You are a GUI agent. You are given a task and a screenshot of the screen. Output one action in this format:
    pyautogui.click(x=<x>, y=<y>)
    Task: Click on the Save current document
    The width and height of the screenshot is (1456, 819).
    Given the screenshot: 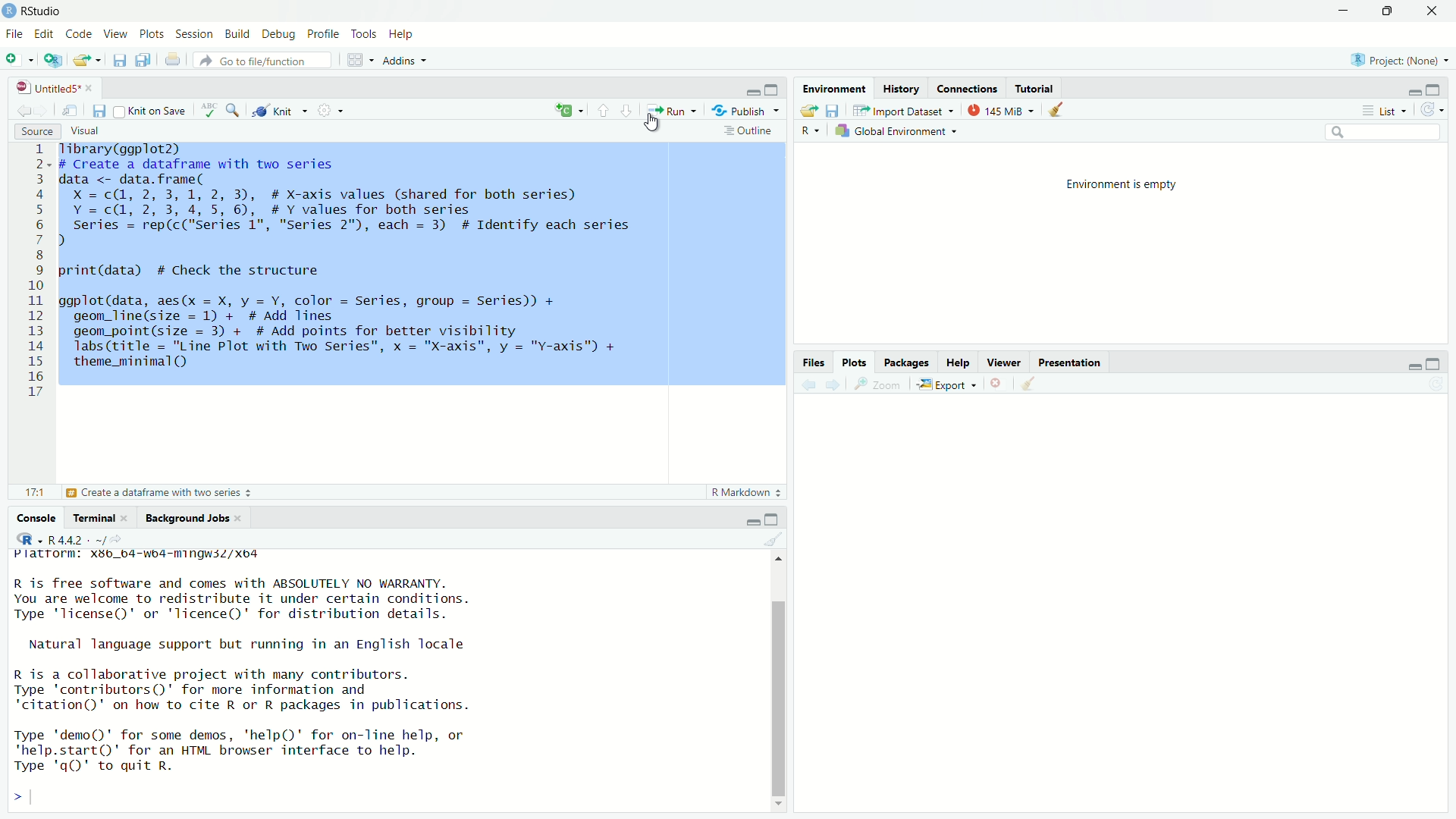 What is the action you would take?
    pyautogui.click(x=122, y=61)
    